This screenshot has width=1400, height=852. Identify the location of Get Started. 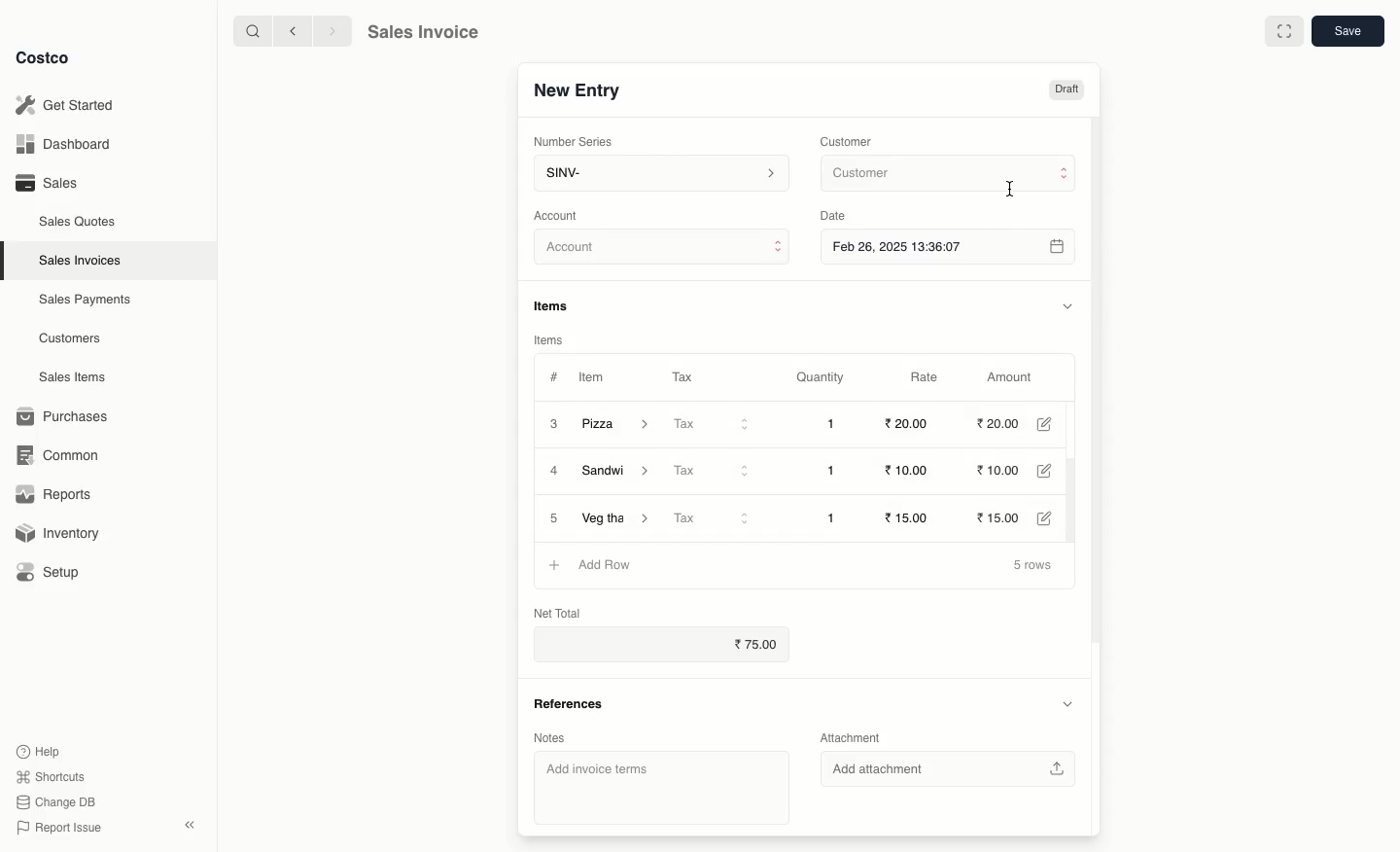
(64, 104).